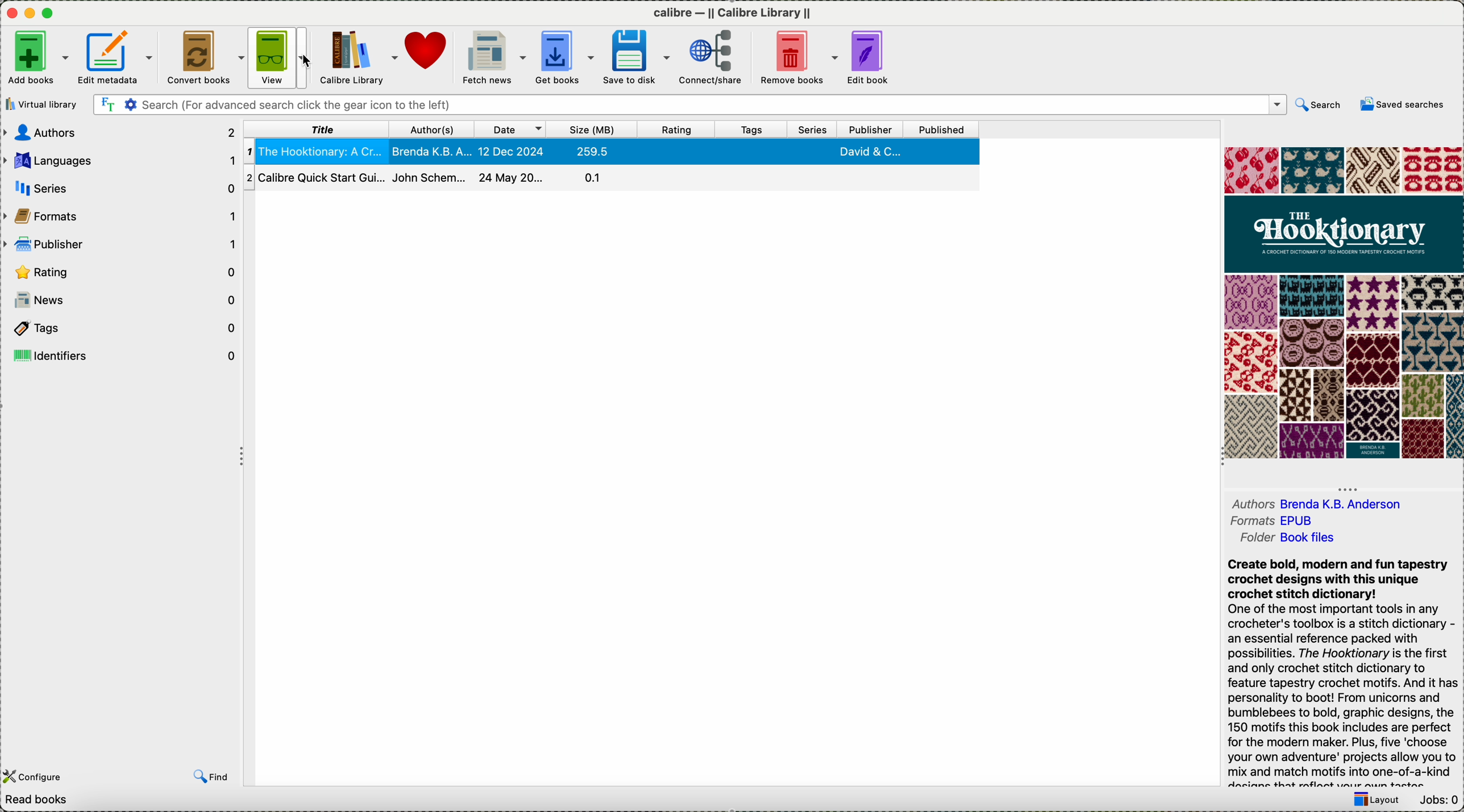  Describe the element at coordinates (116, 57) in the screenshot. I see `edit metadata` at that location.